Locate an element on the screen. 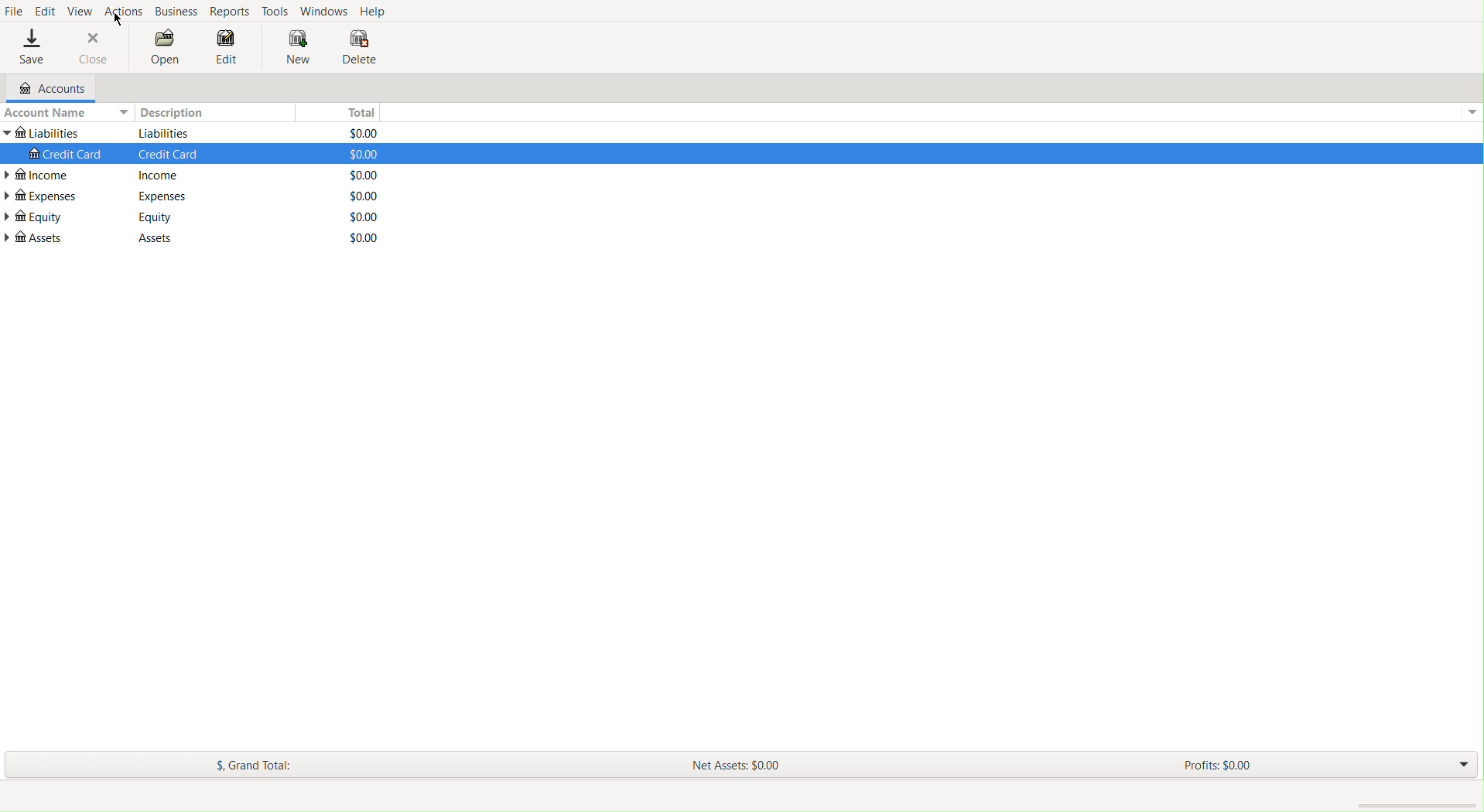 This screenshot has height=812, width=1484. Profits is located at coordinates (1217, 764).